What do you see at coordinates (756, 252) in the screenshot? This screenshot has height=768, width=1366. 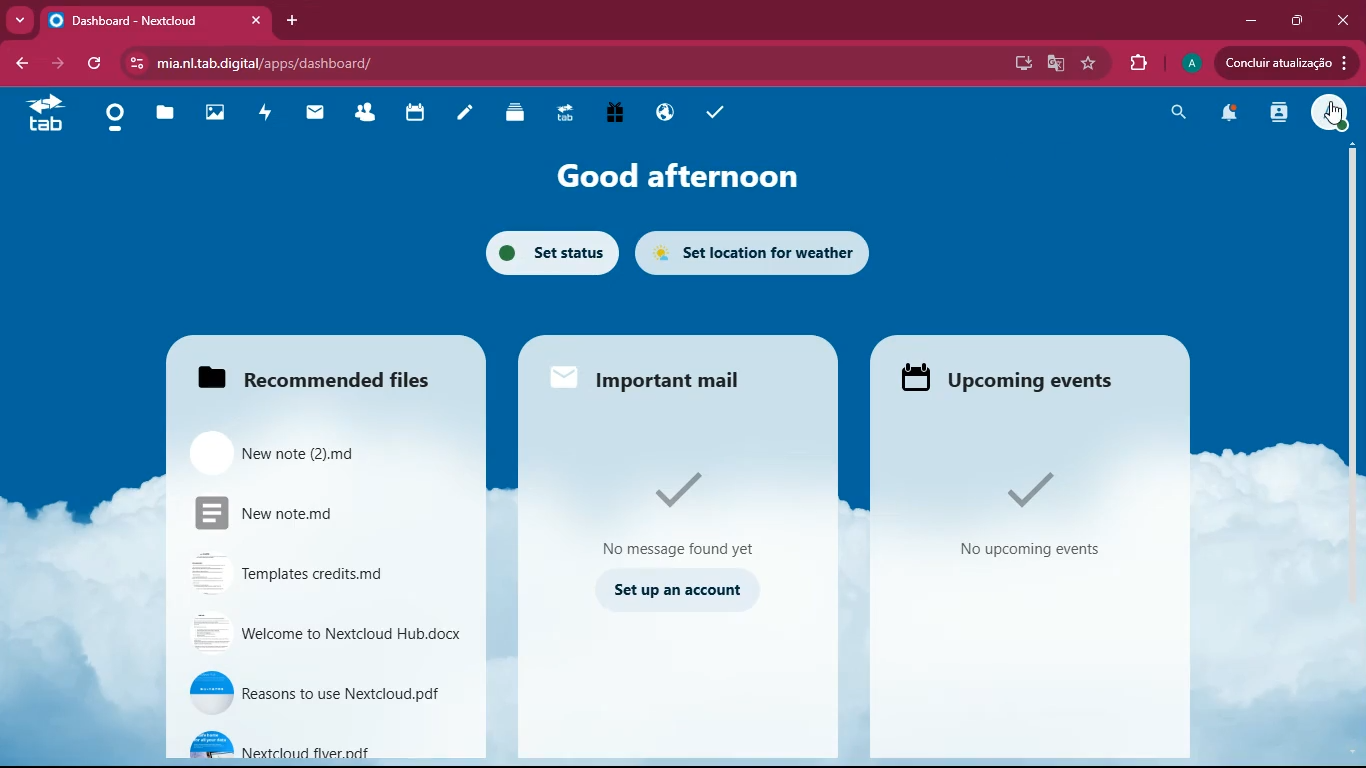 I see `set location` at bounding box center [756, 252].